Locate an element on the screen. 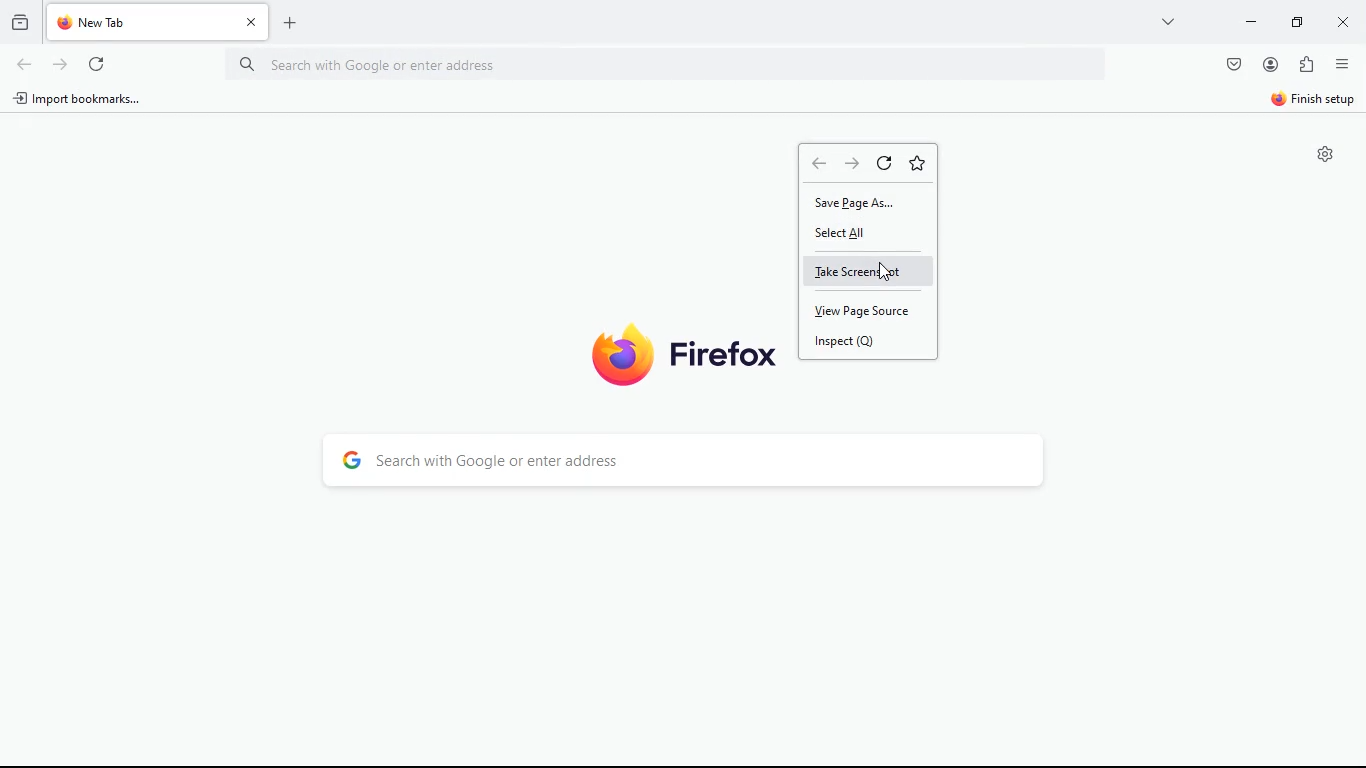 The width and height of the screenshot is (1366, 768). close is located at coordinates (1340, 21).